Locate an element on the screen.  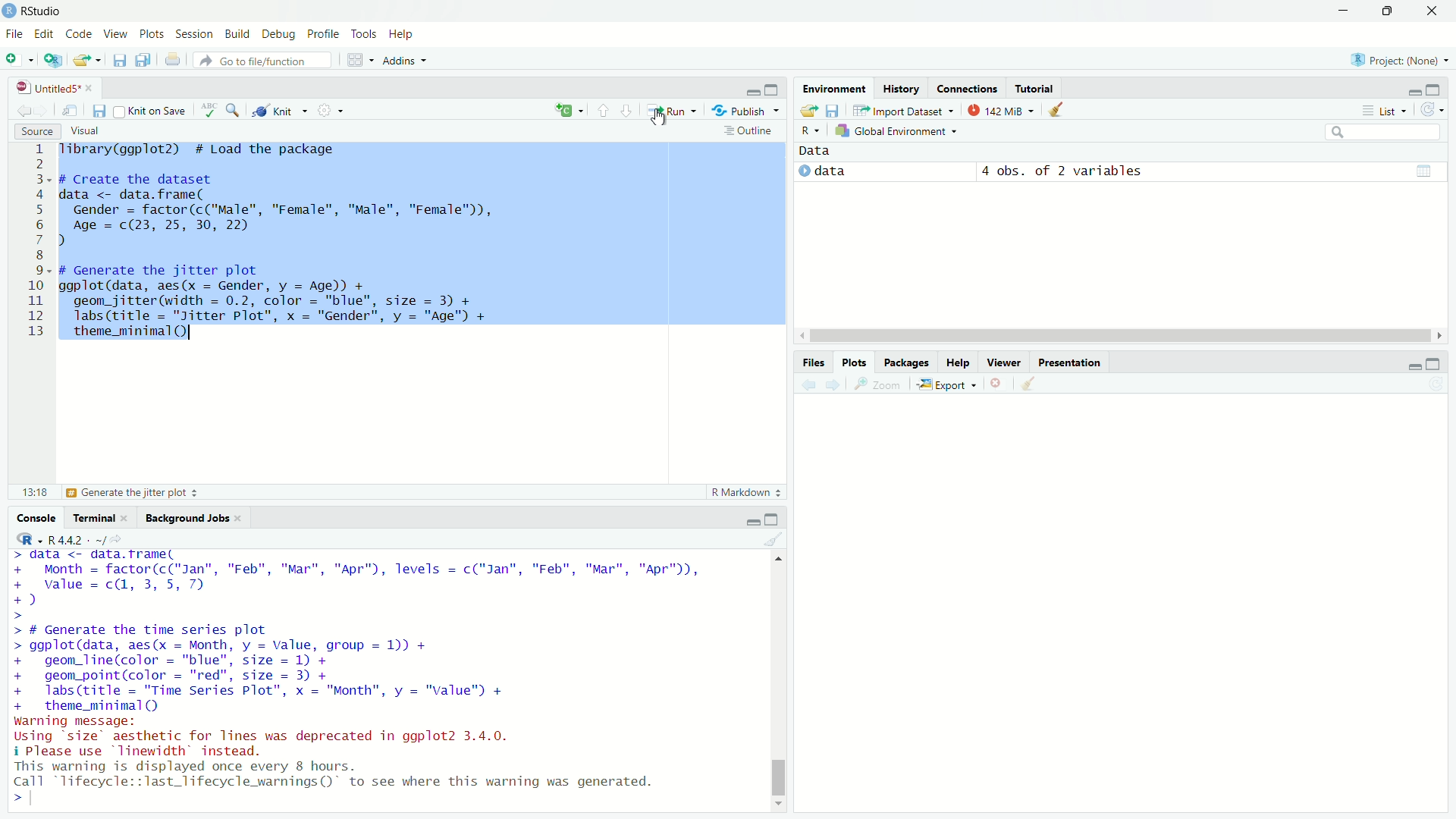
next plot is located at coordinates (835, 385).